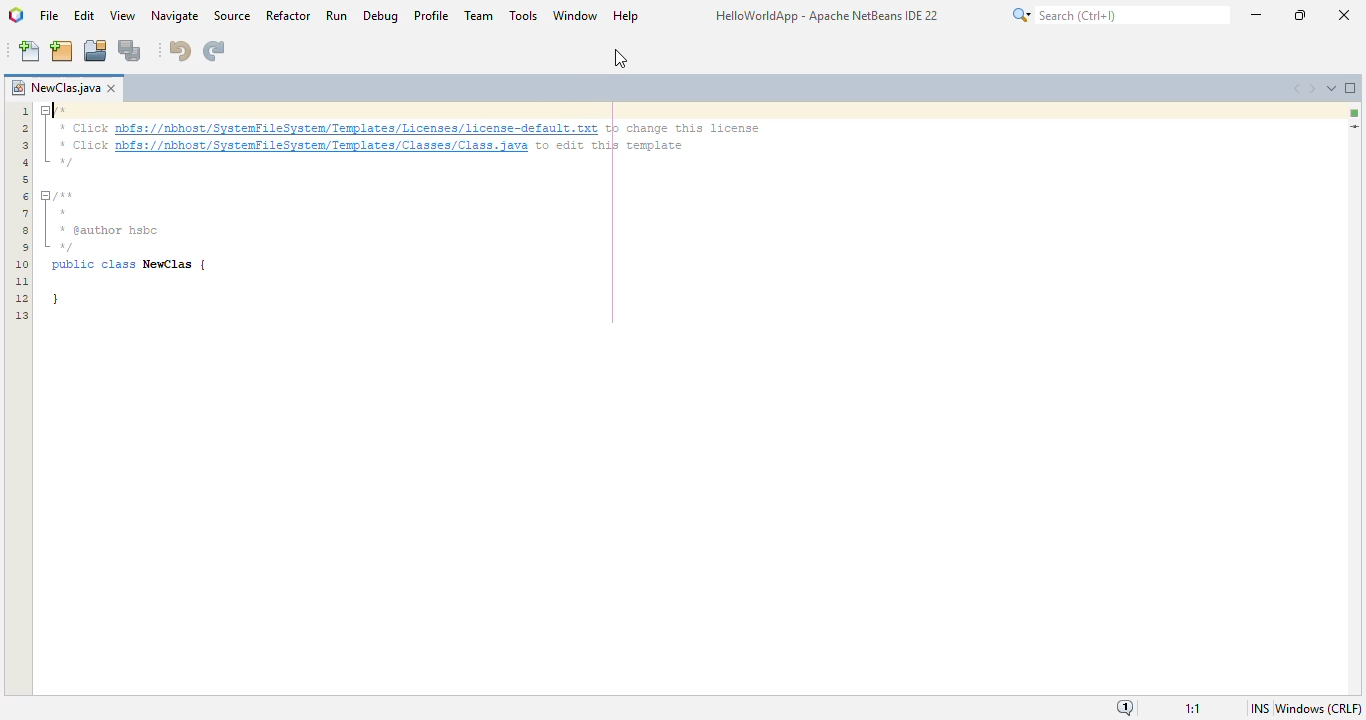  I want to click on undo, so click(180, 51).